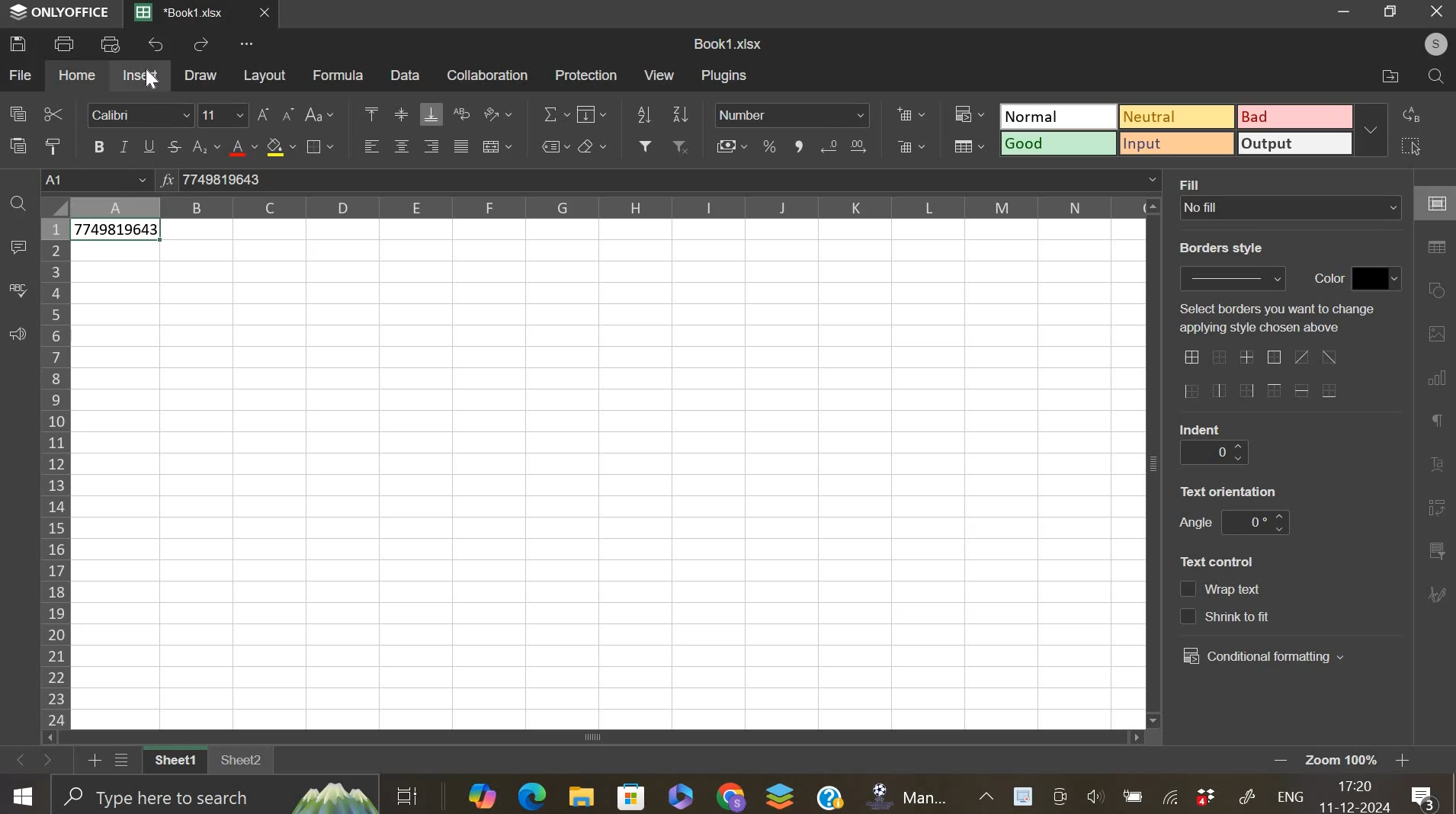 The width and height of the screenshot is (1456, 814). I want to click on add filter, so click(644, 143).